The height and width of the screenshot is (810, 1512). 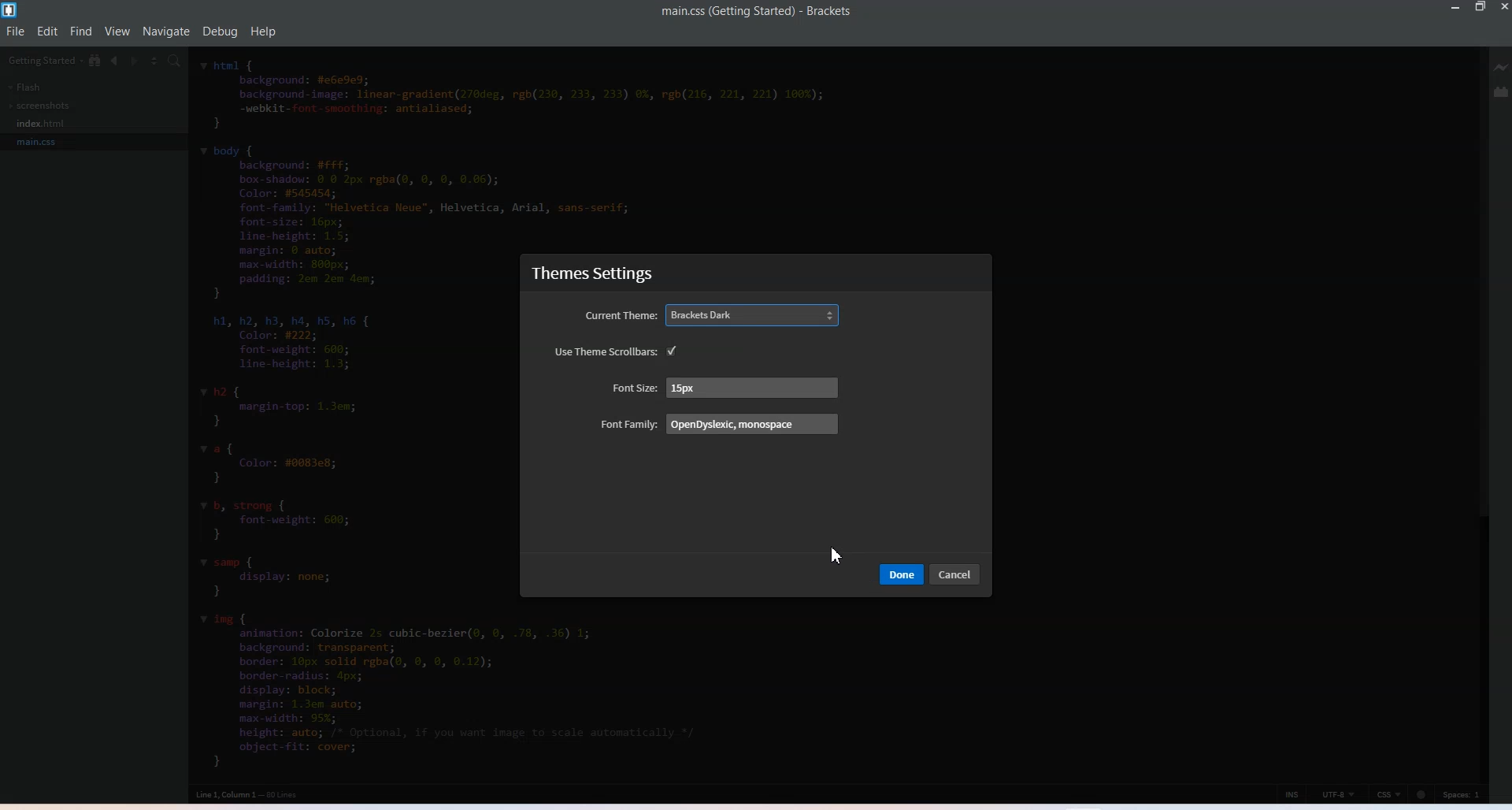 I want to click on 15 px, so click(x=750, y=388).